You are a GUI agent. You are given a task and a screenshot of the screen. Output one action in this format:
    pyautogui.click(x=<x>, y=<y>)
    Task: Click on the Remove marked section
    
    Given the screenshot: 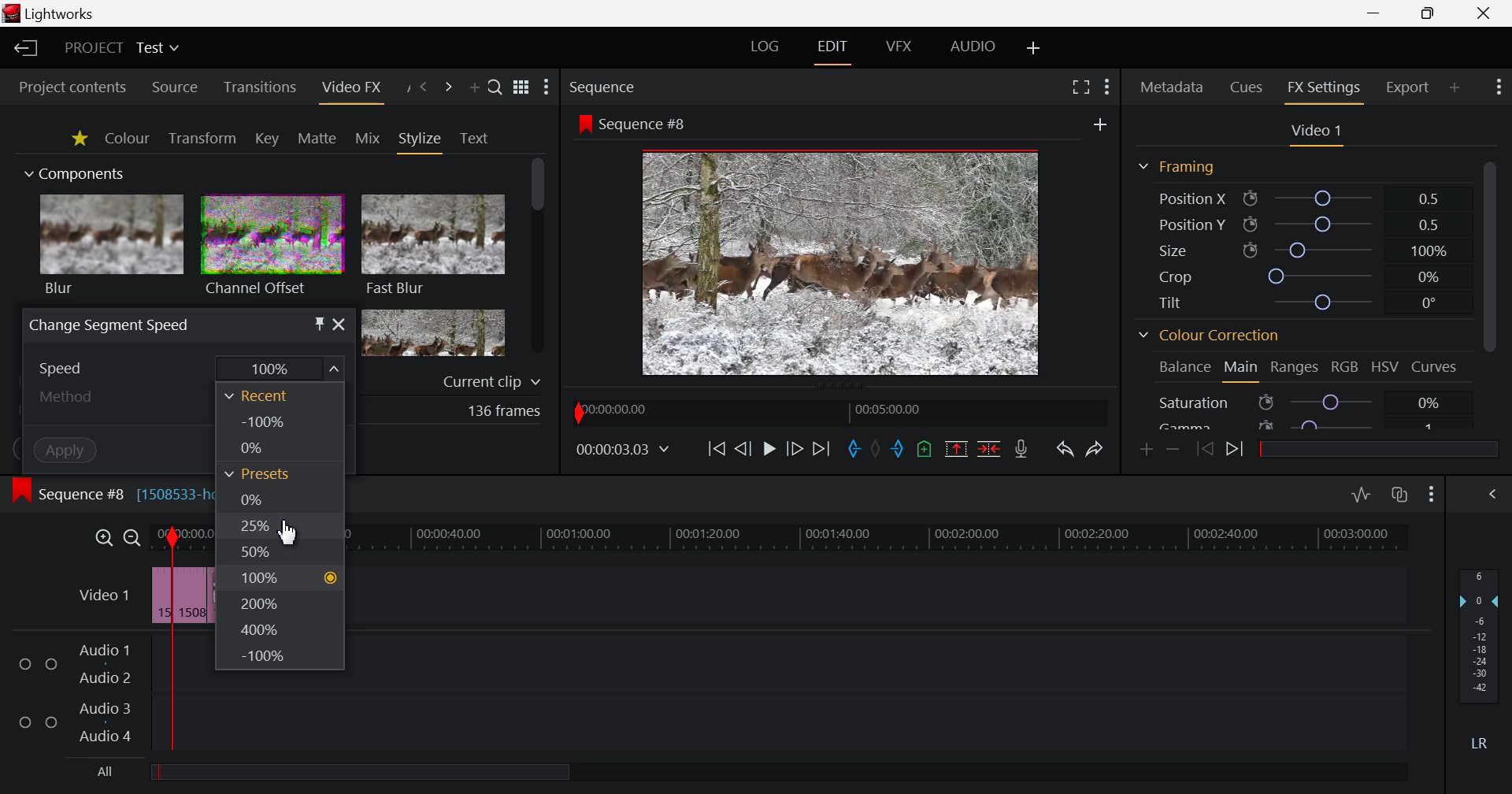 What is the action you would take?
    pyautogui.click(x=958, y=451)
    